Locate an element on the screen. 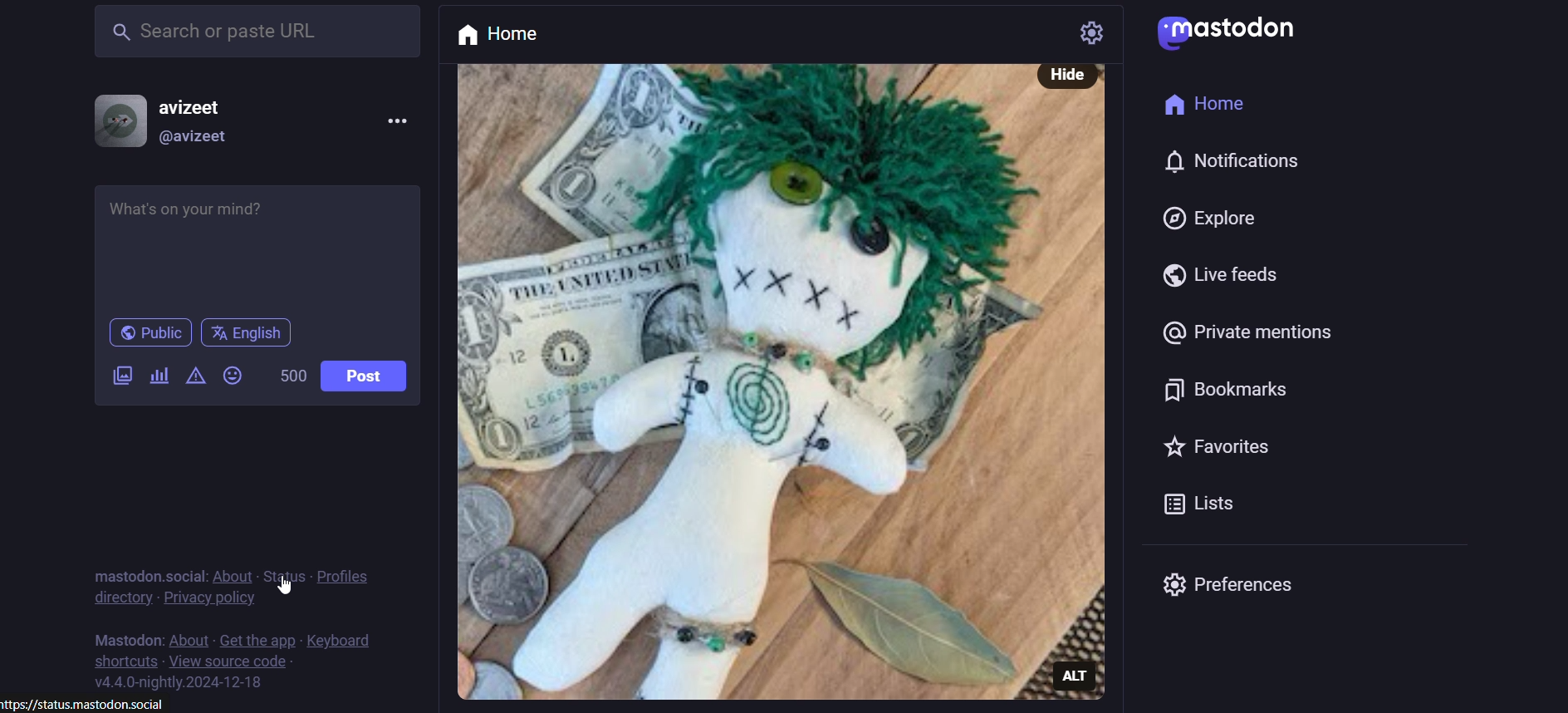  get the app is located at coordinates (257, 636).